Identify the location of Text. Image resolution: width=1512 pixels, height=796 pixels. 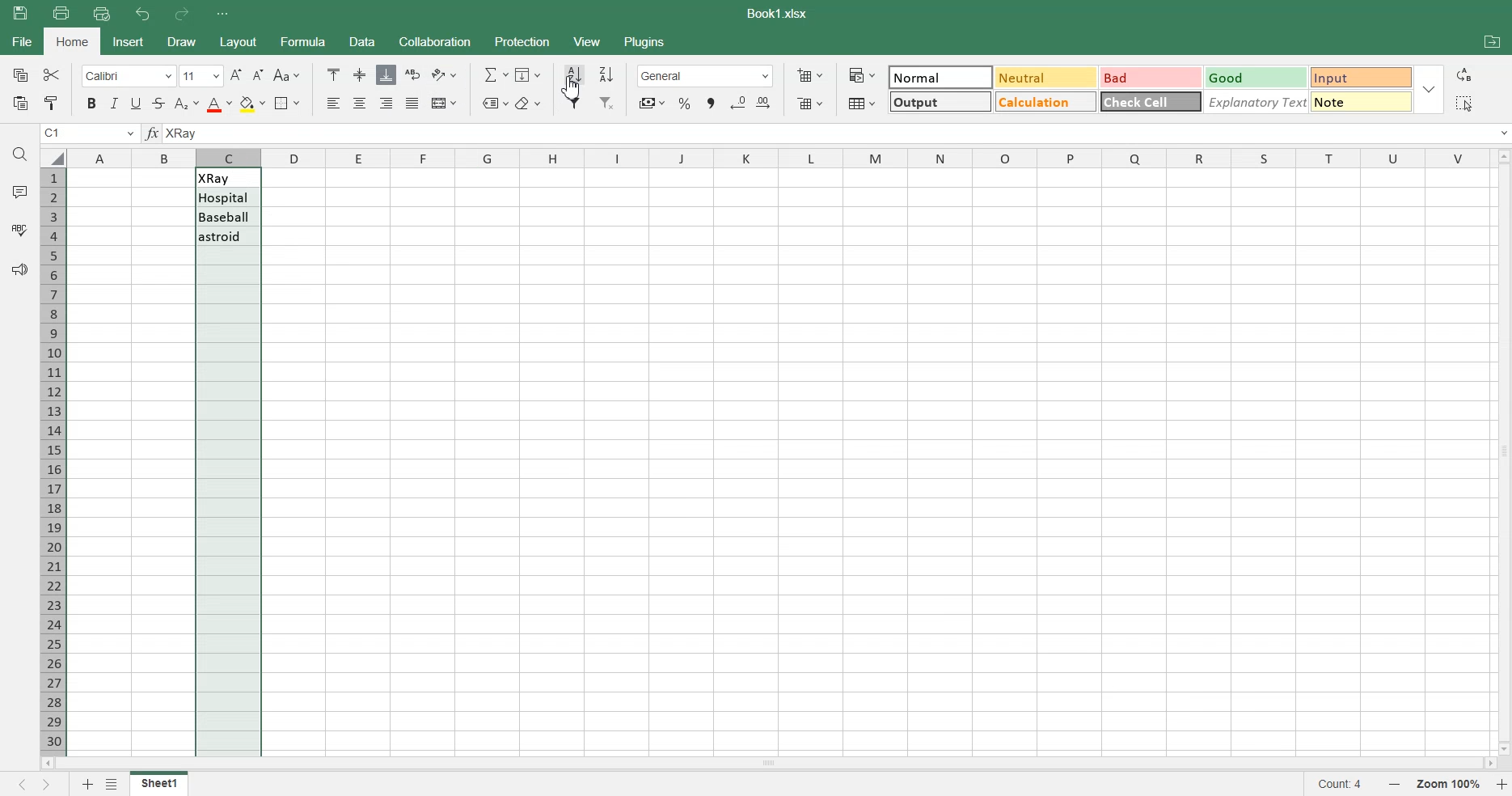
(779, 14).